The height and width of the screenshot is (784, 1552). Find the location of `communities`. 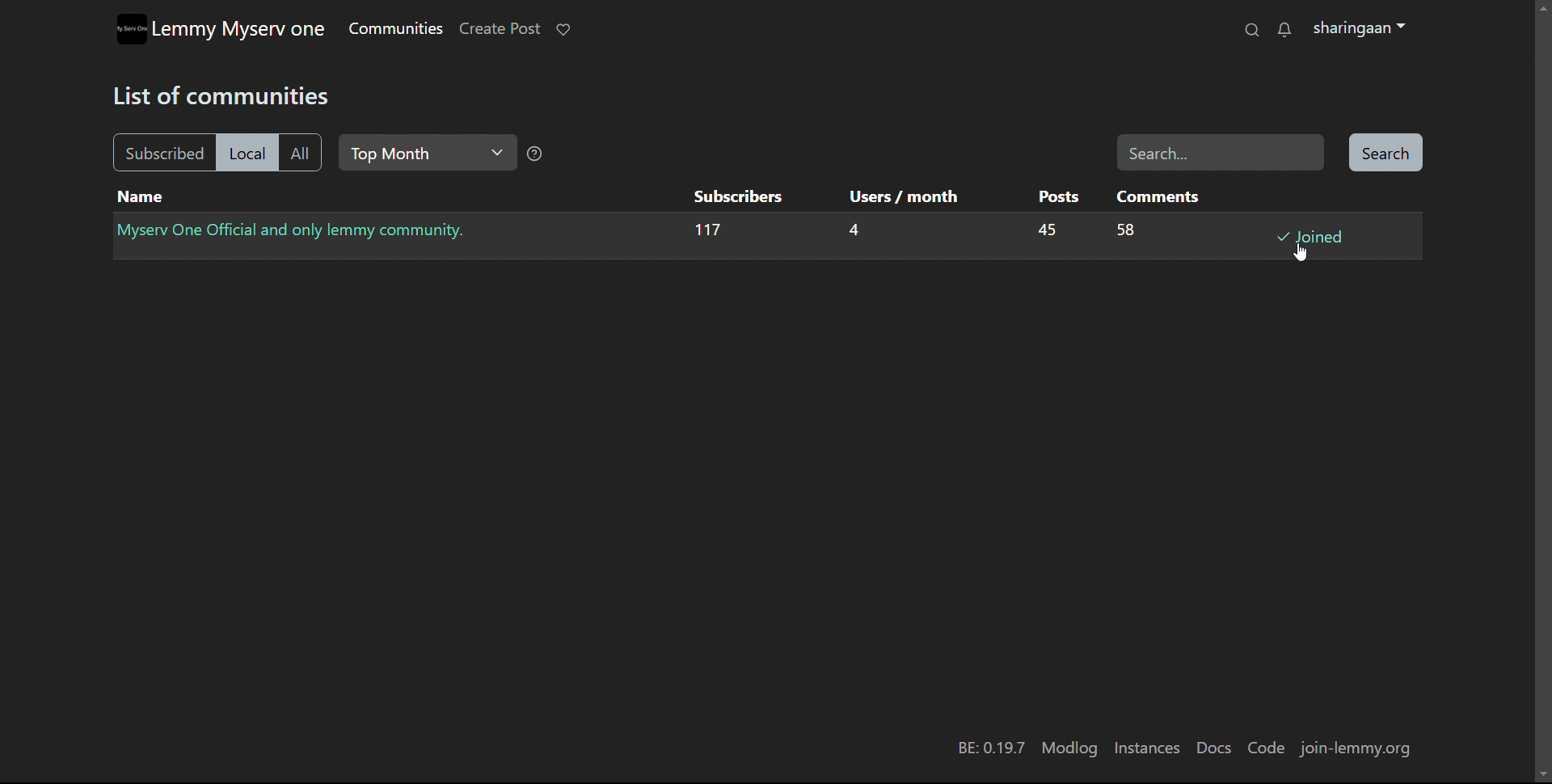

communities is located at coordinates (394, 28).